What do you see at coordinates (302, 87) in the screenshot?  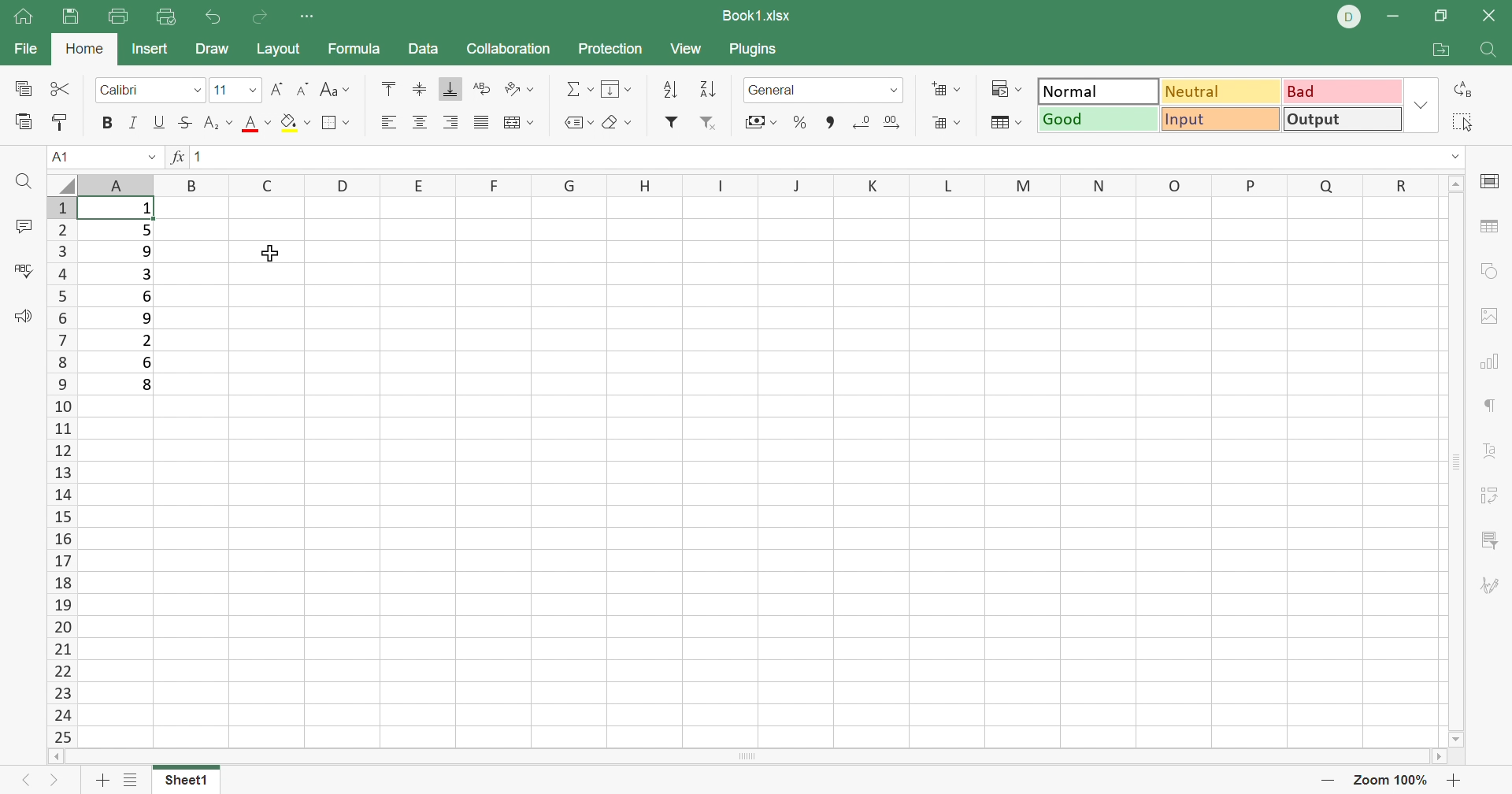 I see `Decrement font size` at bounding box center [302, 87].